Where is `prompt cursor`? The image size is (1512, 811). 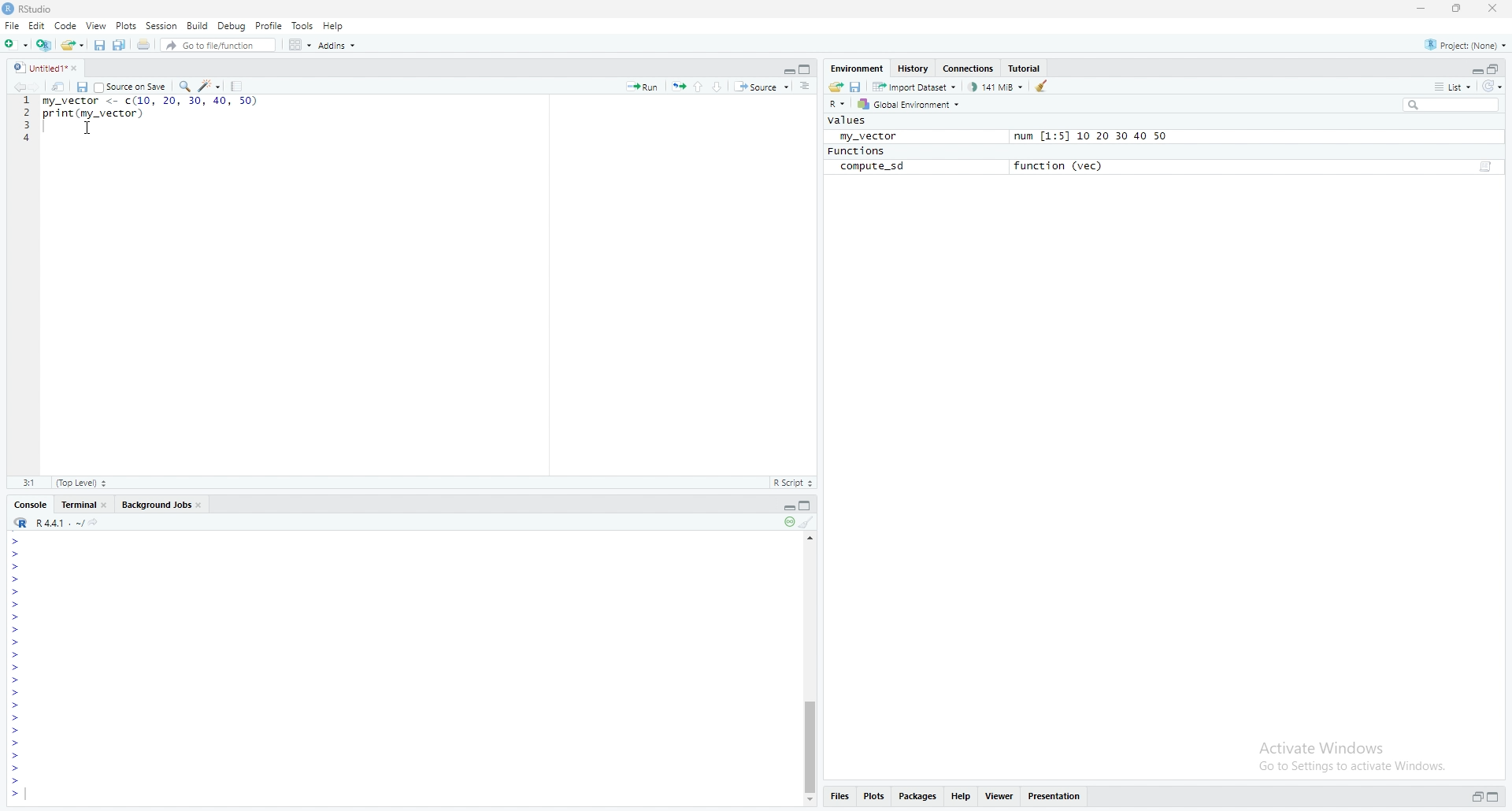 prompt cursor is located at coordinates (15, 629).